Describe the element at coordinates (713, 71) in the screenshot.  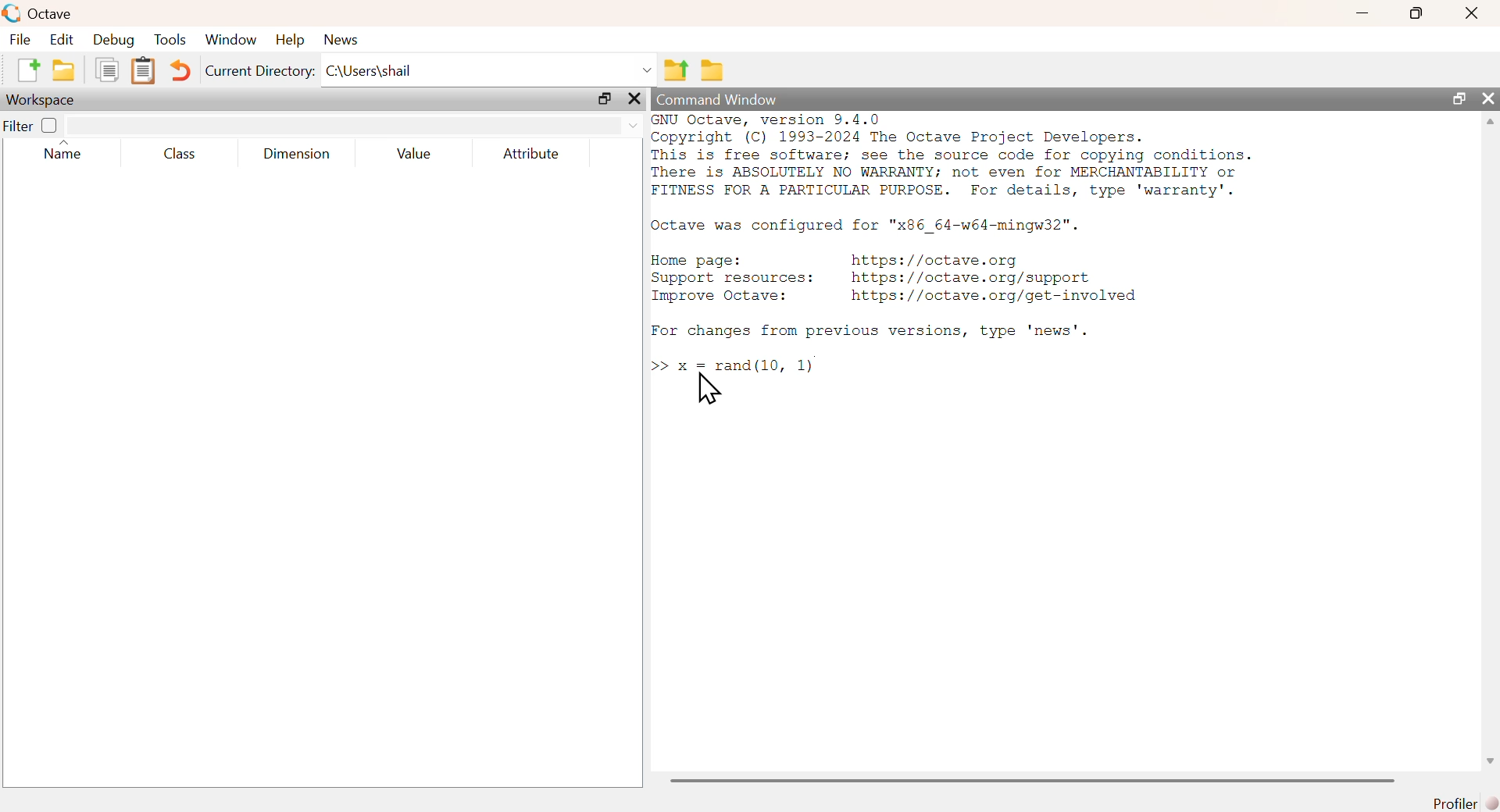
I see `browse directories` at that location.